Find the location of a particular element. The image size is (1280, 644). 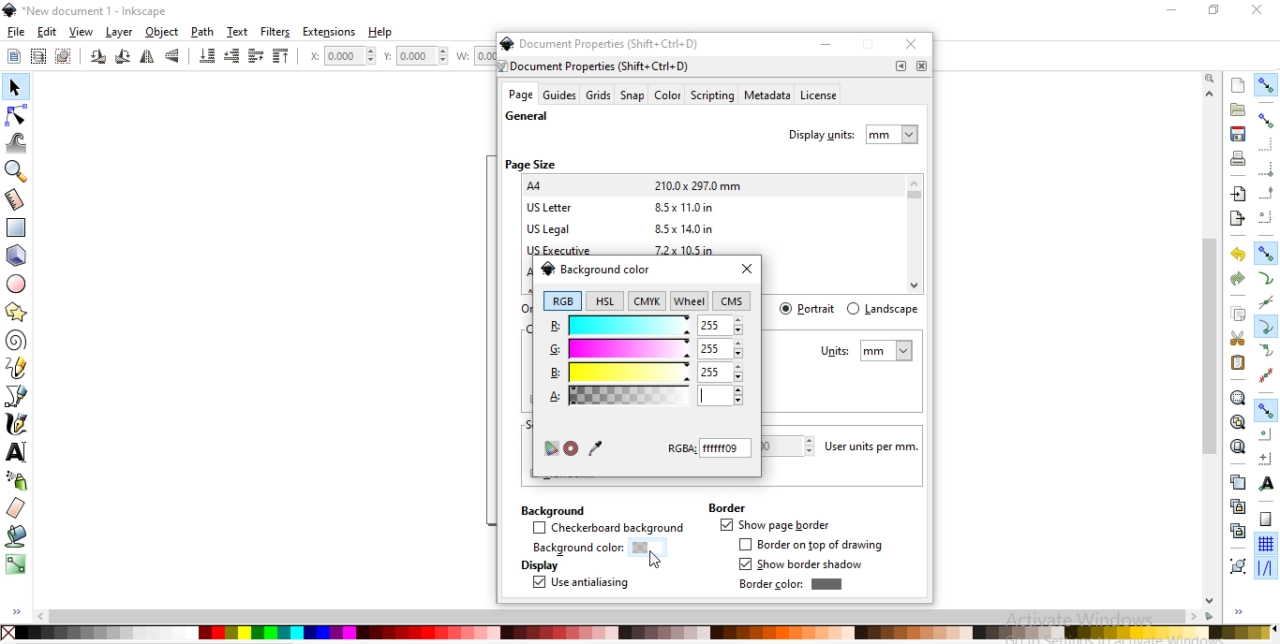

wheel is located at coordinates (689, 301).